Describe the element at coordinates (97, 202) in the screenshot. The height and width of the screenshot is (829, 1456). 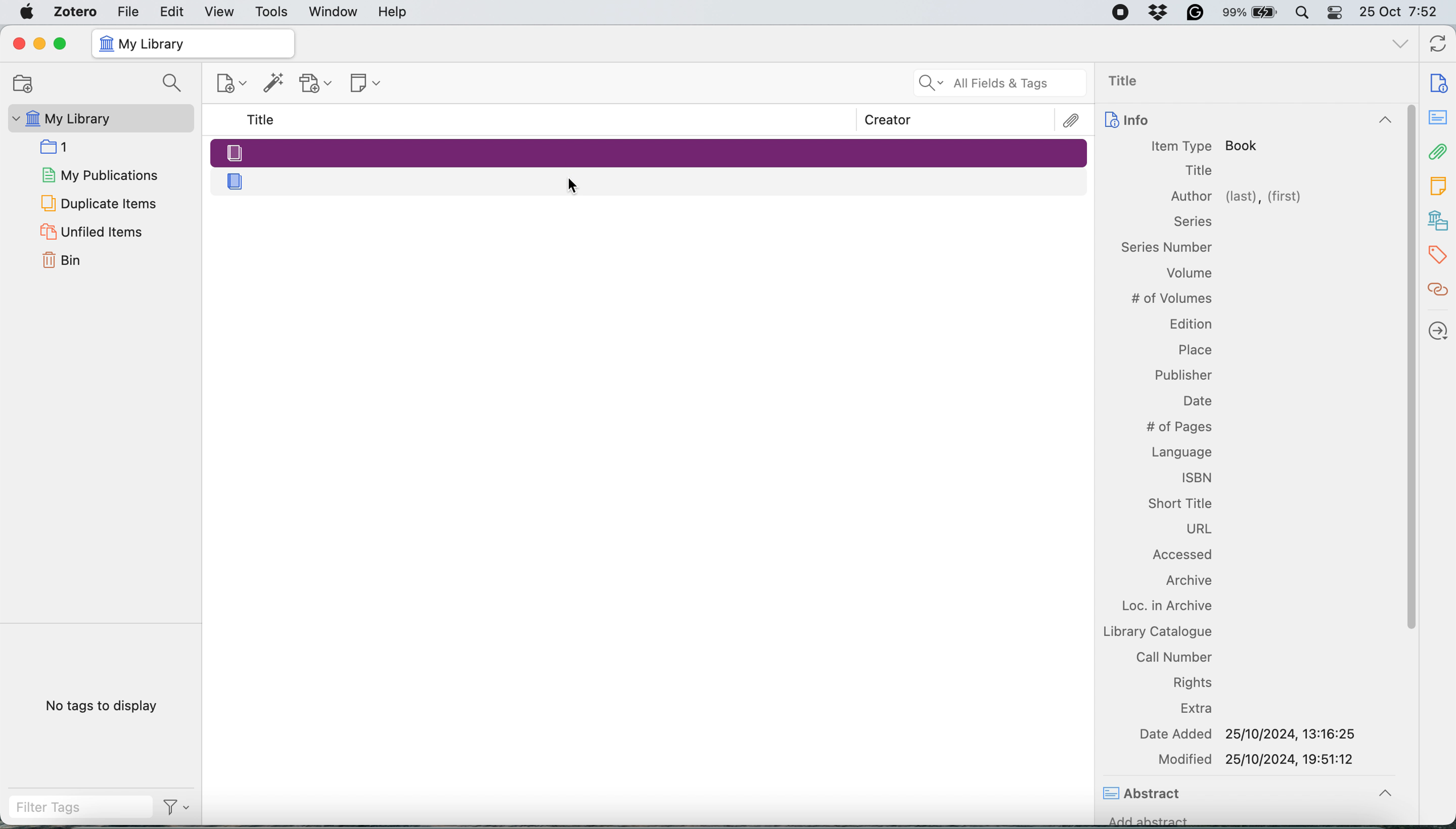
I see `Duplicate Items` at that location.